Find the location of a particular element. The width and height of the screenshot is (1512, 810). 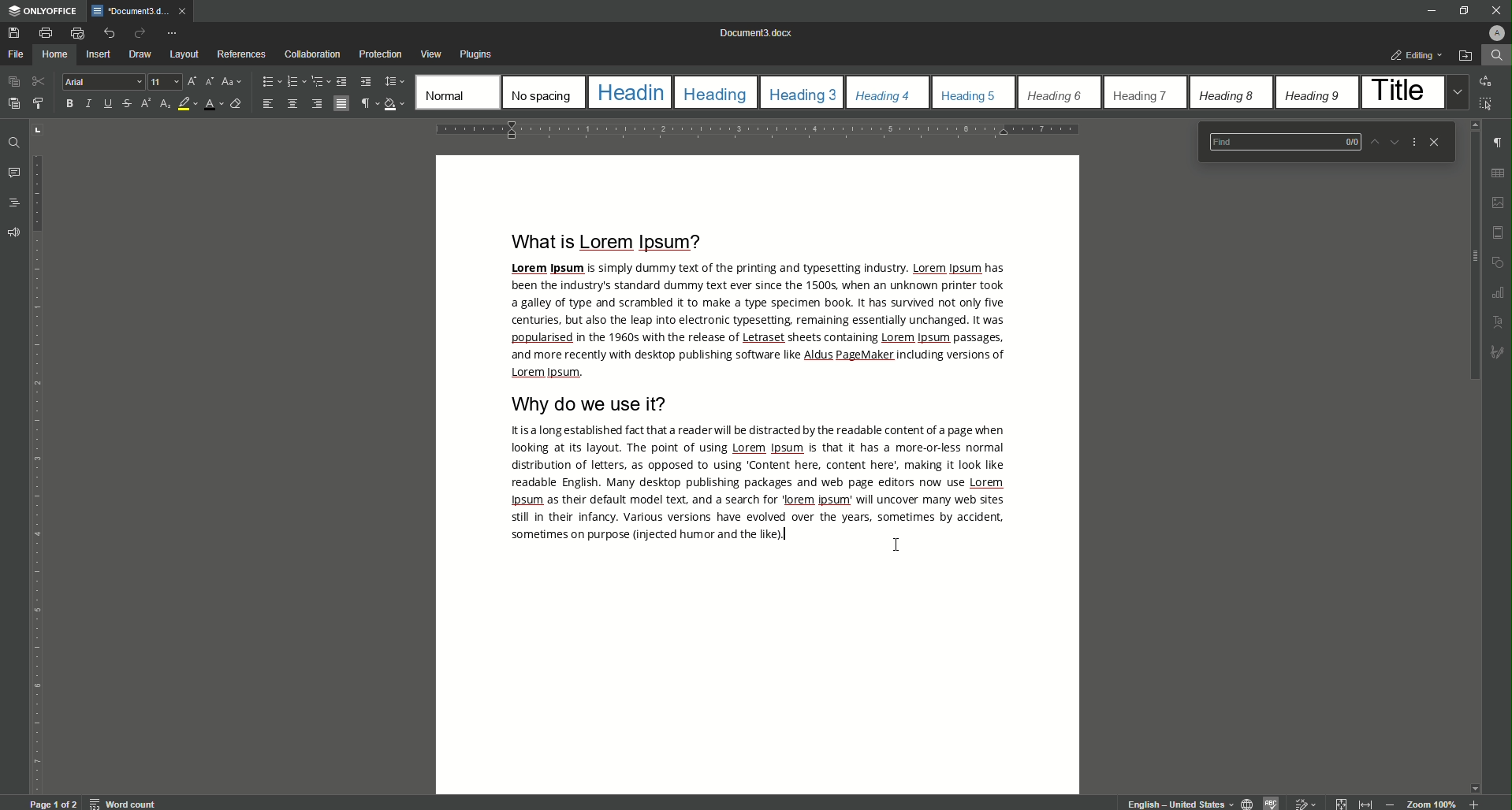

Increase Indent is located at coordinates (368, 81).